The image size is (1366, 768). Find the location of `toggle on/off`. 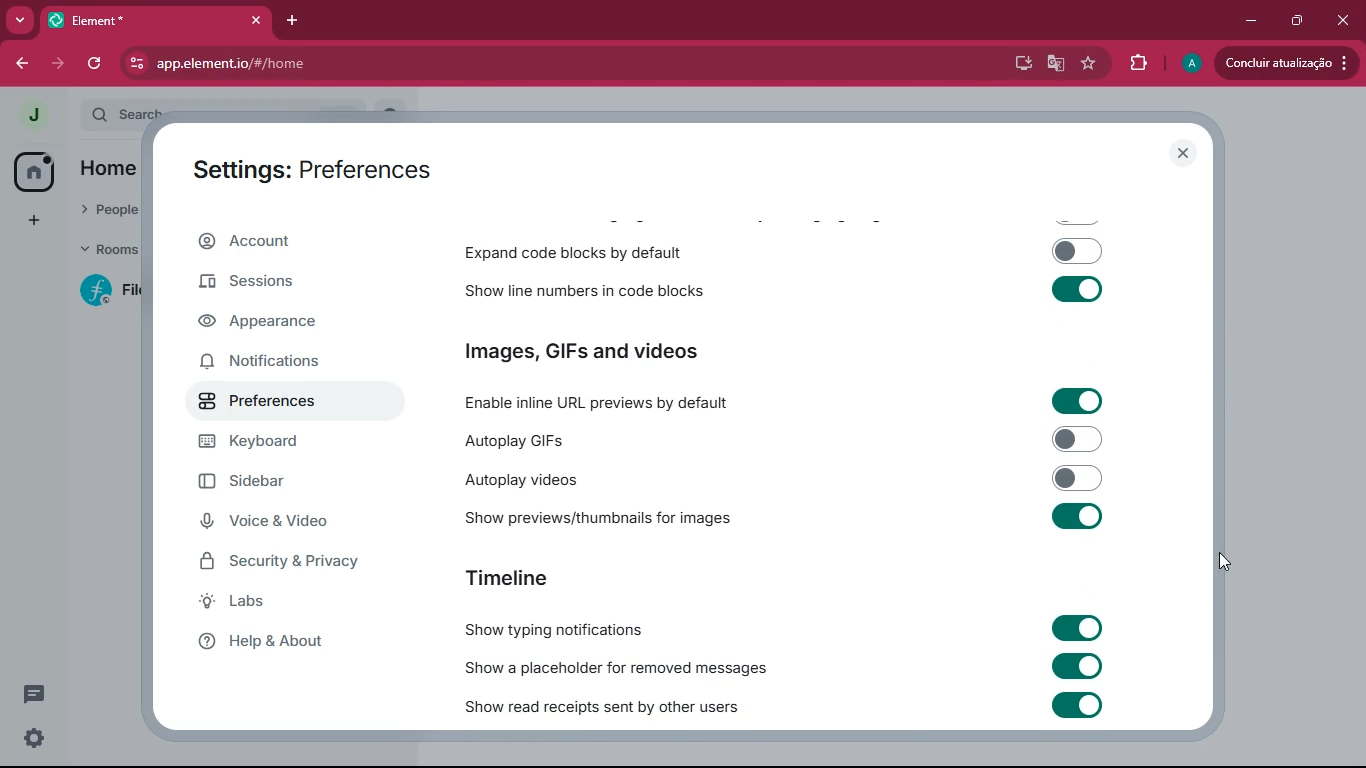

toggle on/off is located at coordinates (1078, 400).